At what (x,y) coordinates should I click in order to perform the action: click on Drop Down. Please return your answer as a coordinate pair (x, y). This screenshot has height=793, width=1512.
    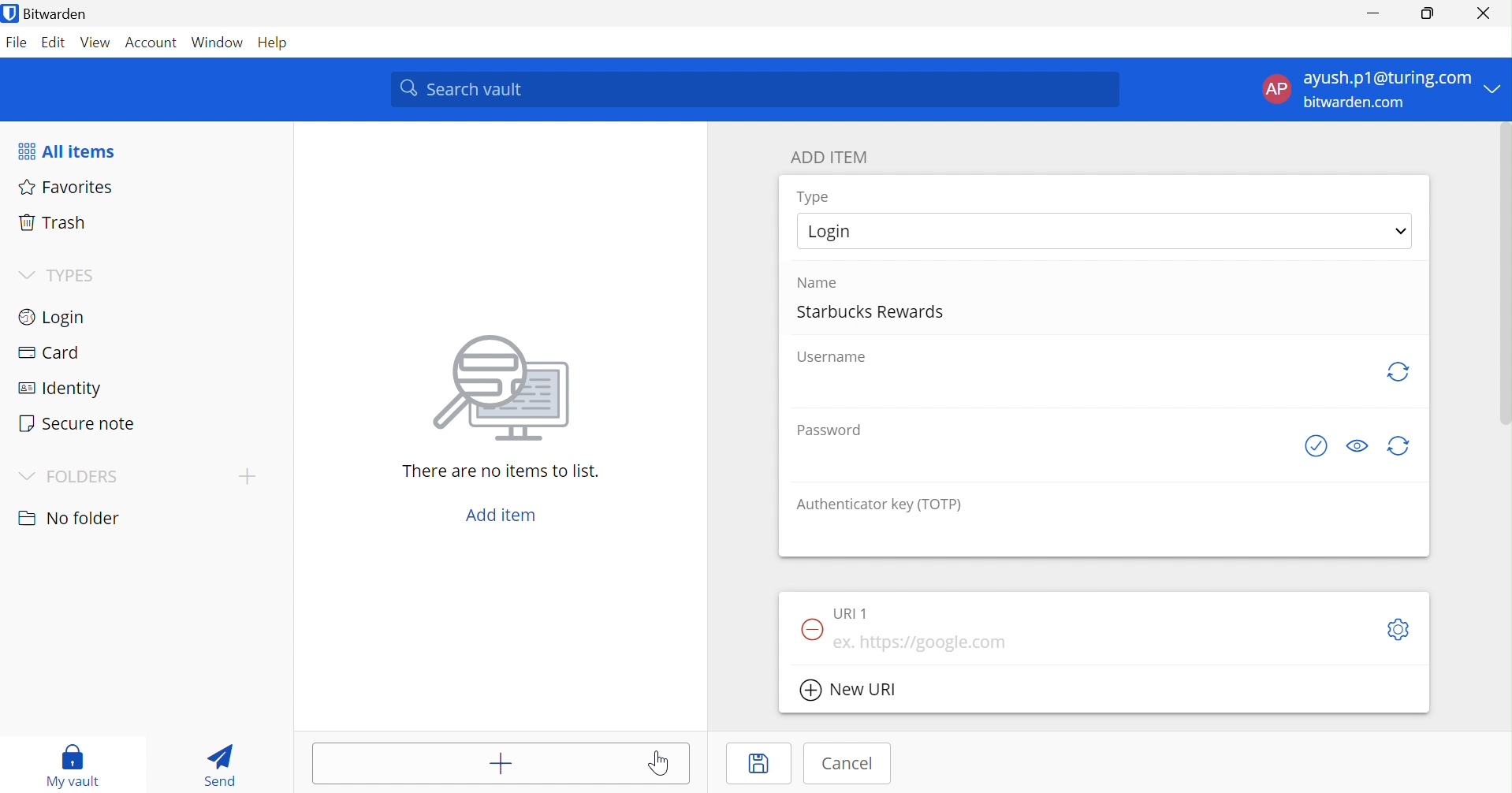
    Looking at the image, I should click on (28, 276).